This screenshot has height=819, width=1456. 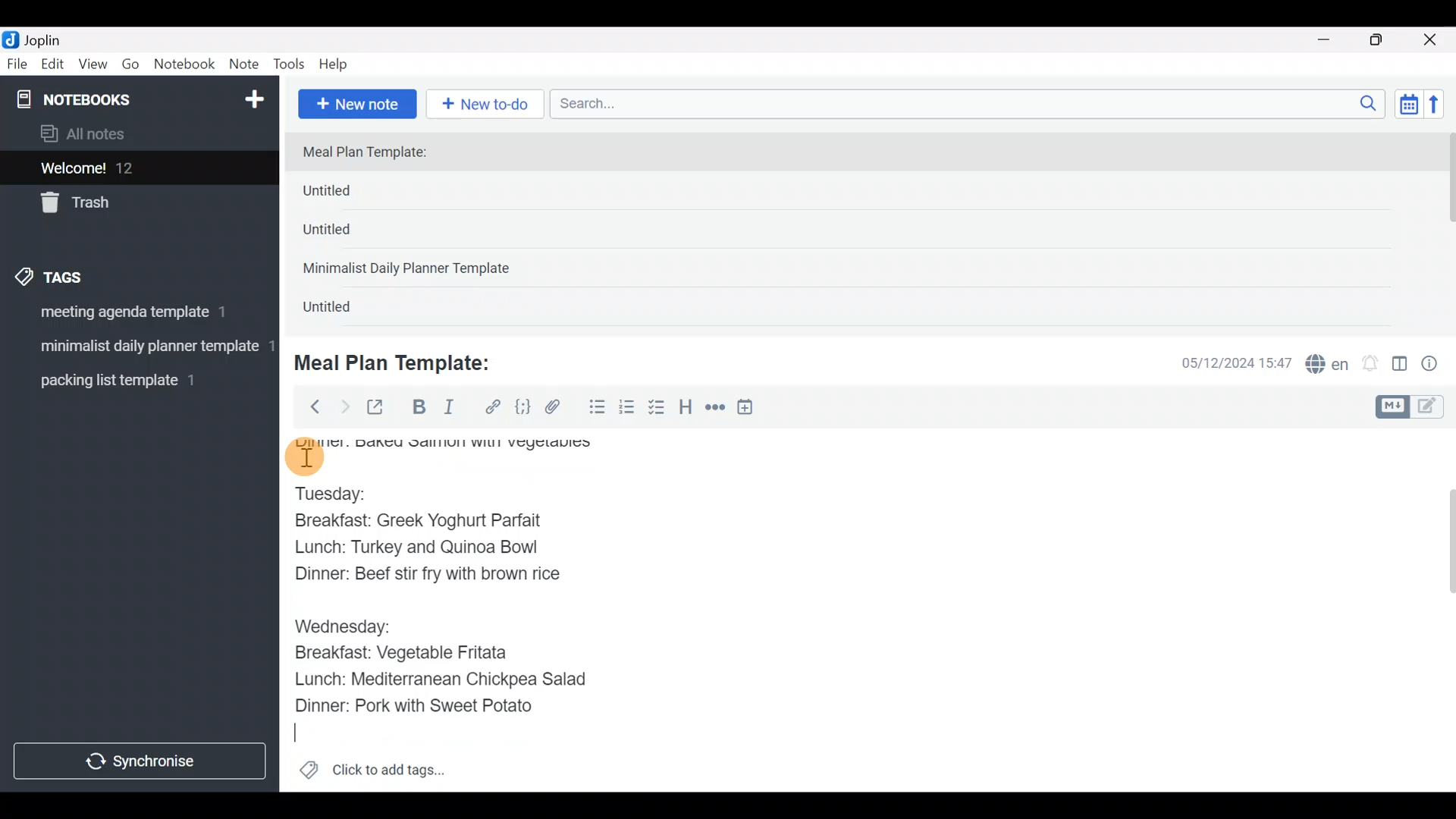 What do you see at coordinates (139, 348) in the screenshot?
I see `Tag 2` at bounding box center [139, 348].